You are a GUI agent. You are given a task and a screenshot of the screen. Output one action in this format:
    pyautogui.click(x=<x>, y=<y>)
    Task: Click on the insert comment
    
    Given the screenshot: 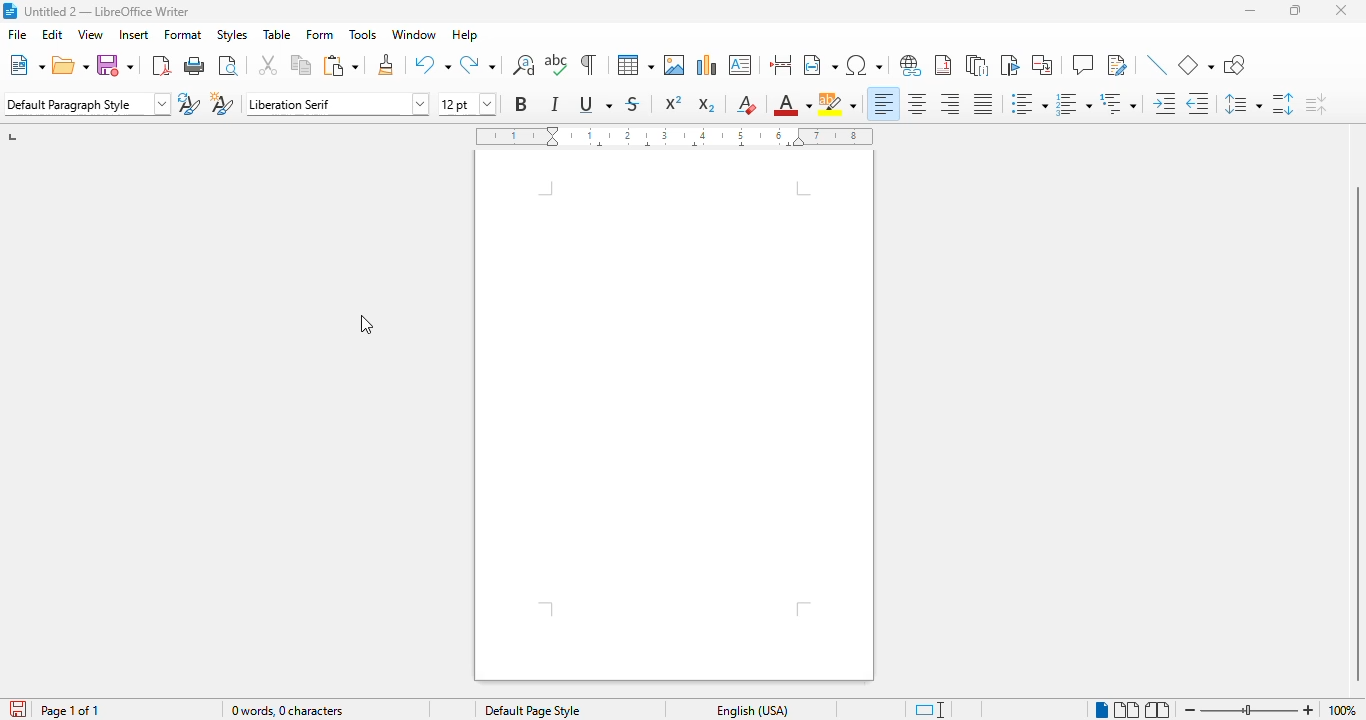 What is the action you would take?
    pyautogui.click(x=1083, y=64)
    